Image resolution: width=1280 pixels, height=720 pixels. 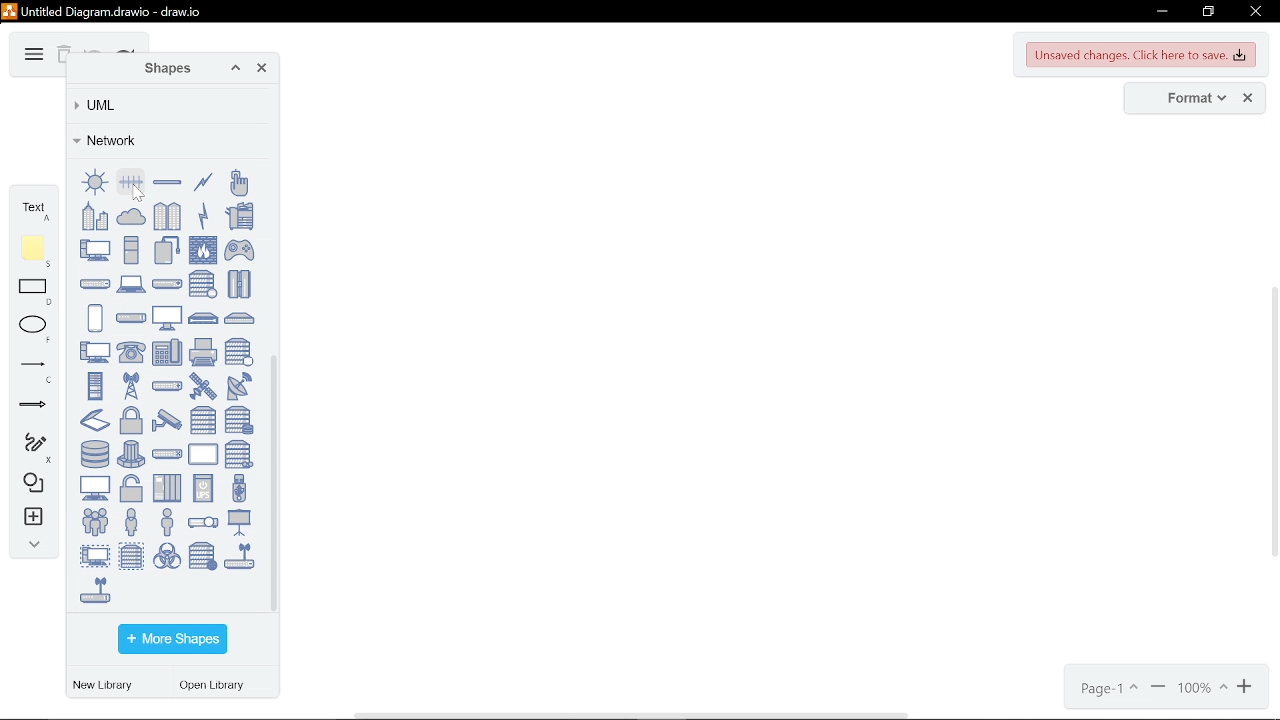 I want to click on gamepad, so click(x=240, y=250).